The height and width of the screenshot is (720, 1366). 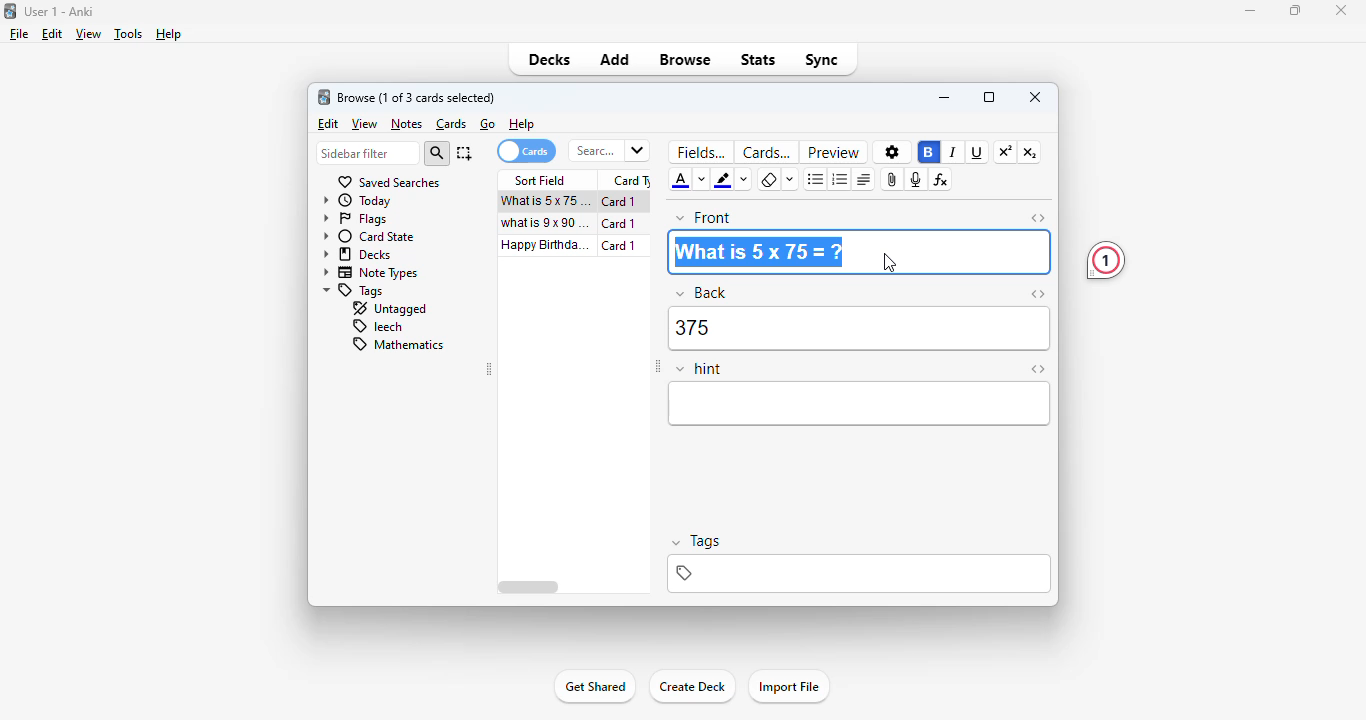 I want to click on what is 9x90=?, so click(x=546, y=223).